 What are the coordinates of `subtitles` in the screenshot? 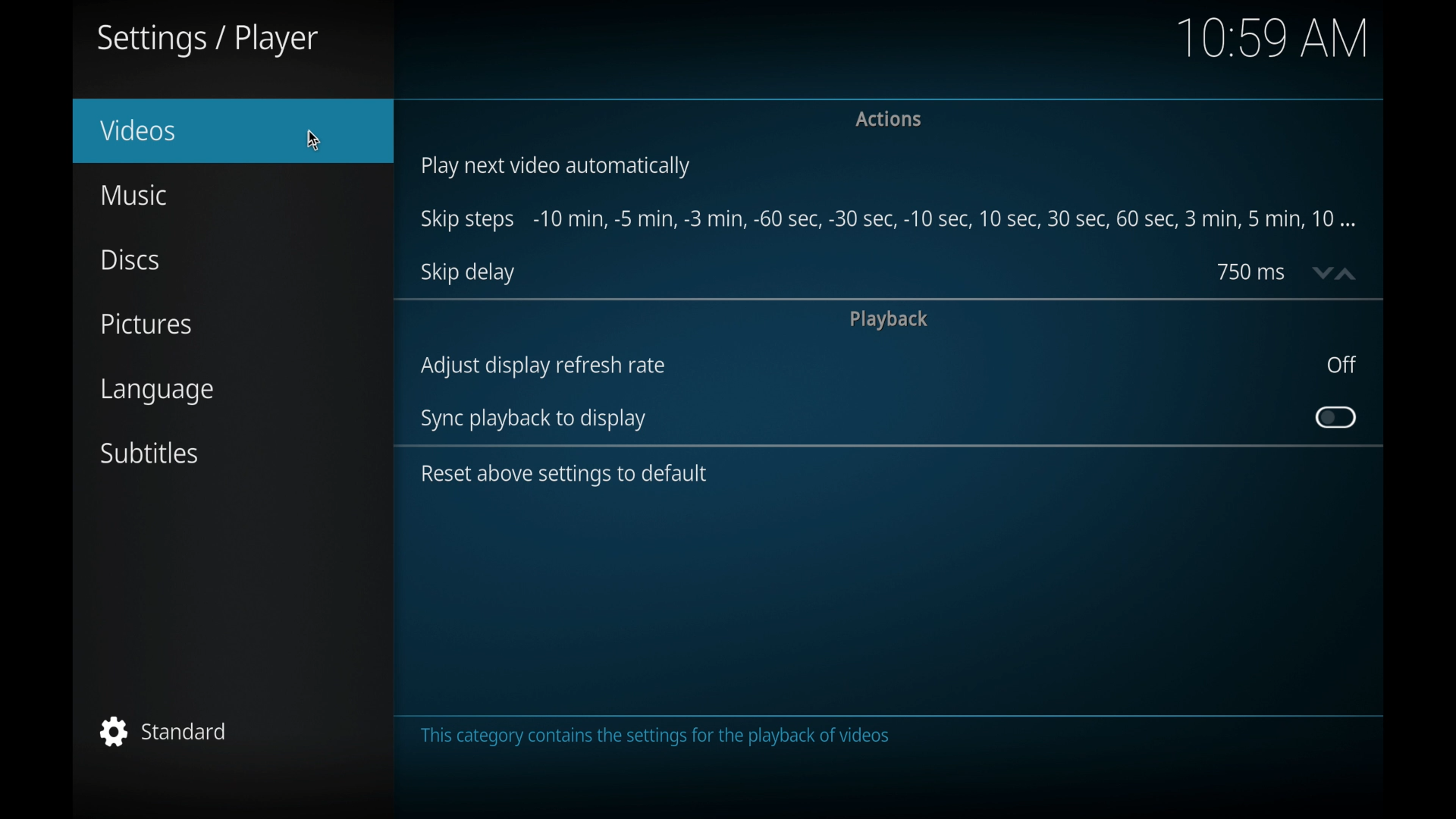 It's located at (150, 453).